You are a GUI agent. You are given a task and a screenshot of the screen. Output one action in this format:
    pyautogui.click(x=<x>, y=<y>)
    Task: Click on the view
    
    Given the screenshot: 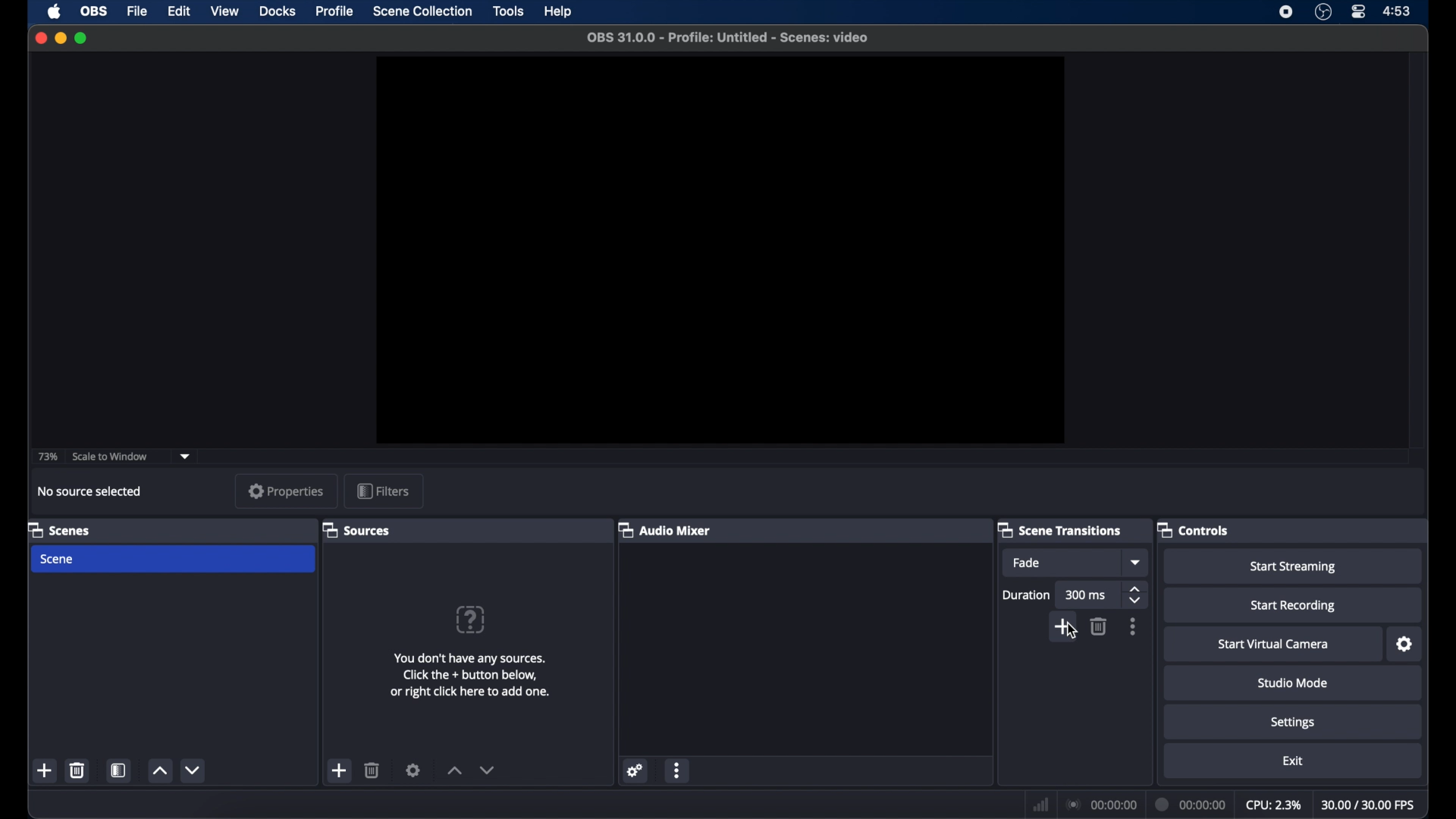 What is the action you would take?
    pyautogui.click(x=224, y=11)
    